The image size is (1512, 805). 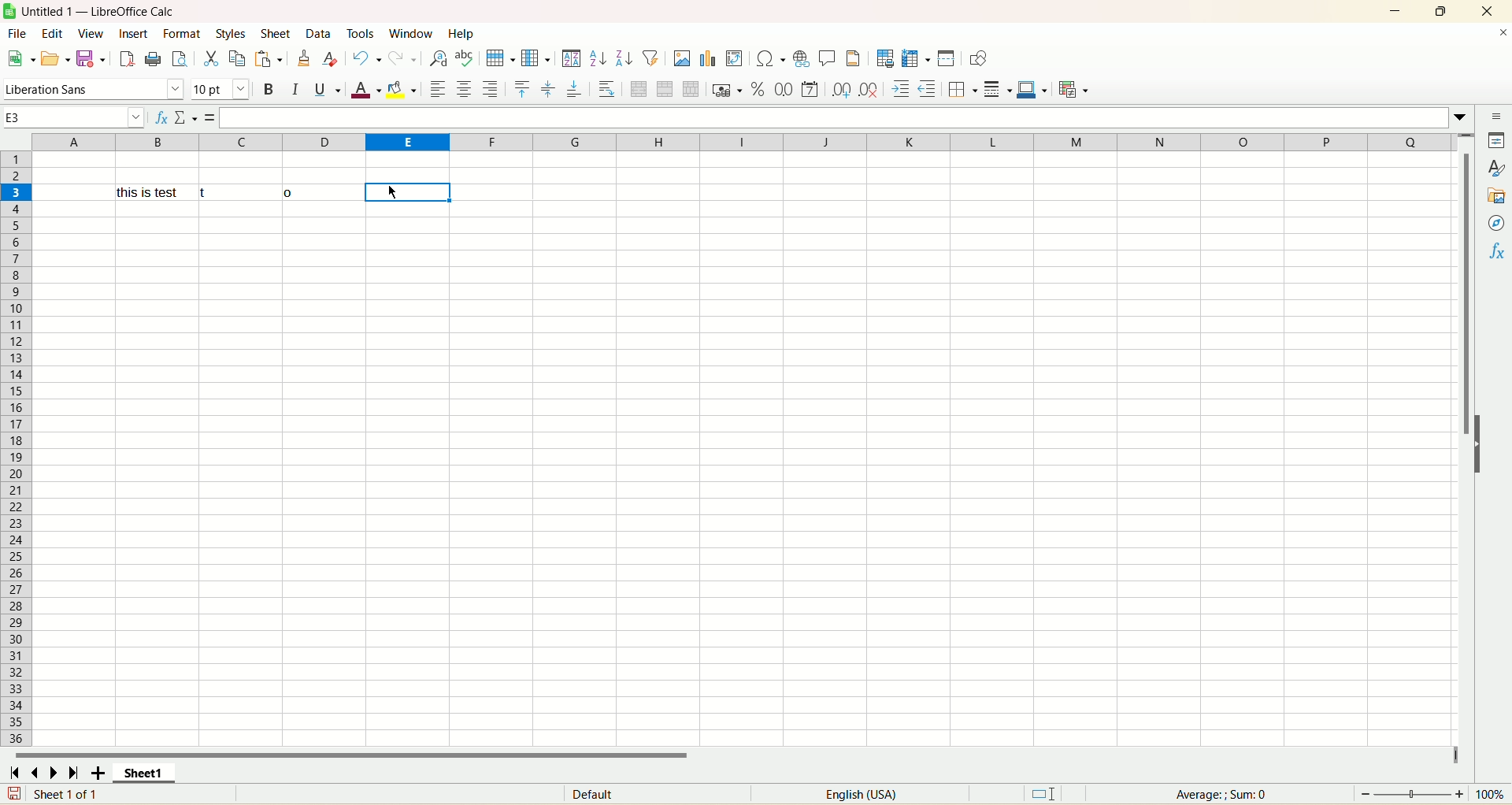 What do you see at coordinates (124, 57) in the screenshot?
I see `export directly as PDF` at bounding box center [124, 57].